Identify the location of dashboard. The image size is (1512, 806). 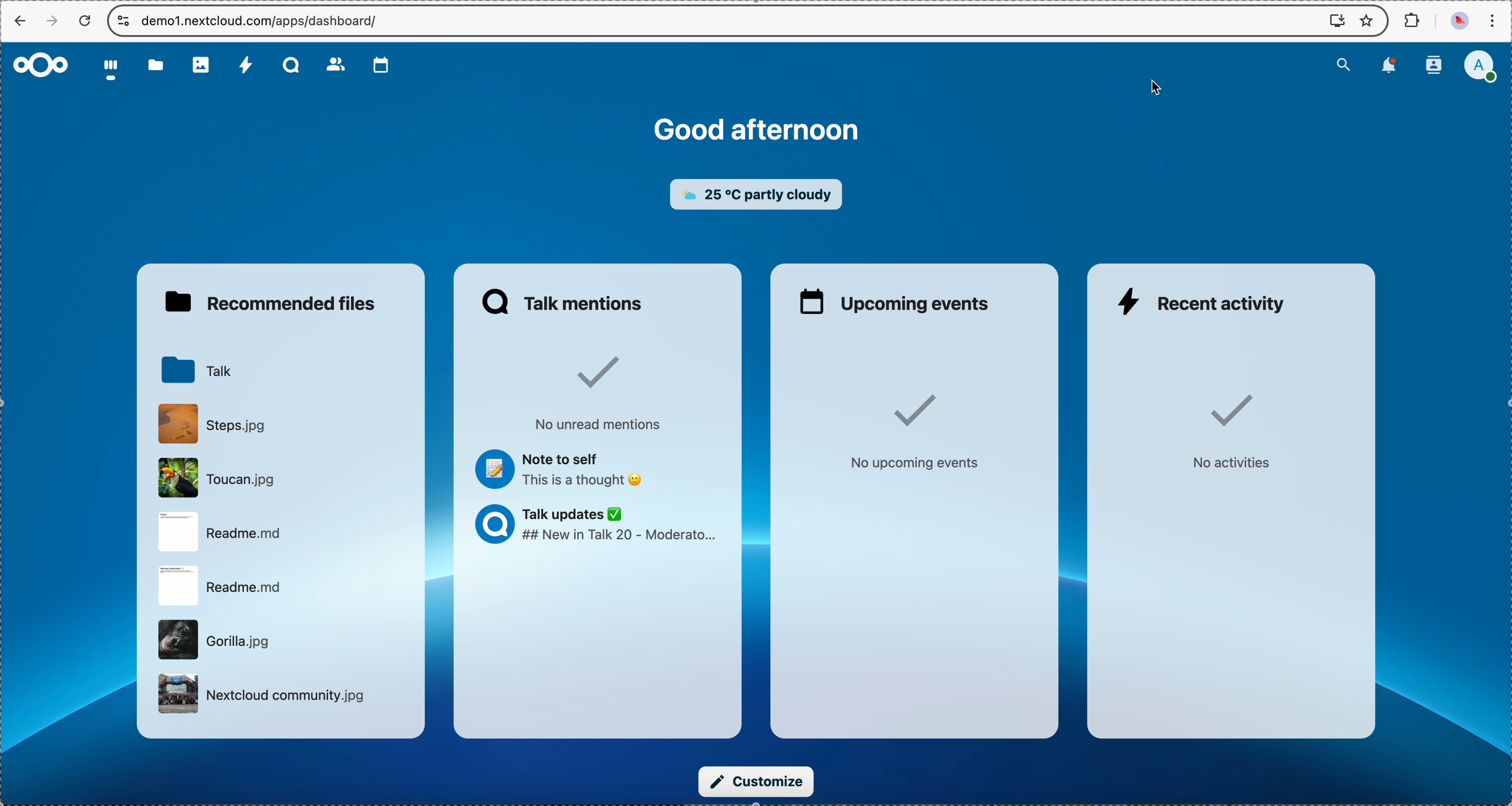
(109, 69).